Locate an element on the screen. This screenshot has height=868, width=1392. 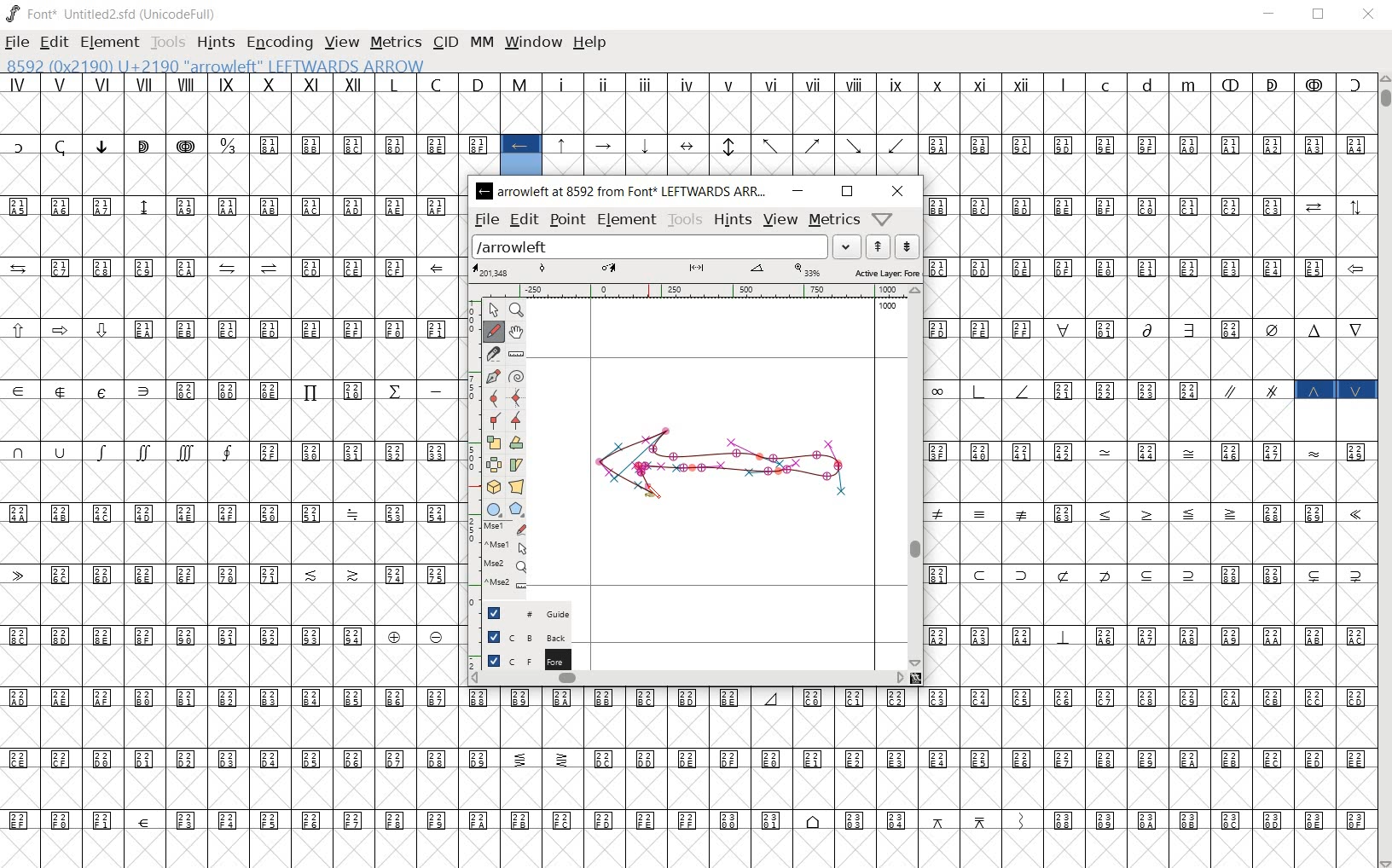
metrics is located at coordinates (395, 43).